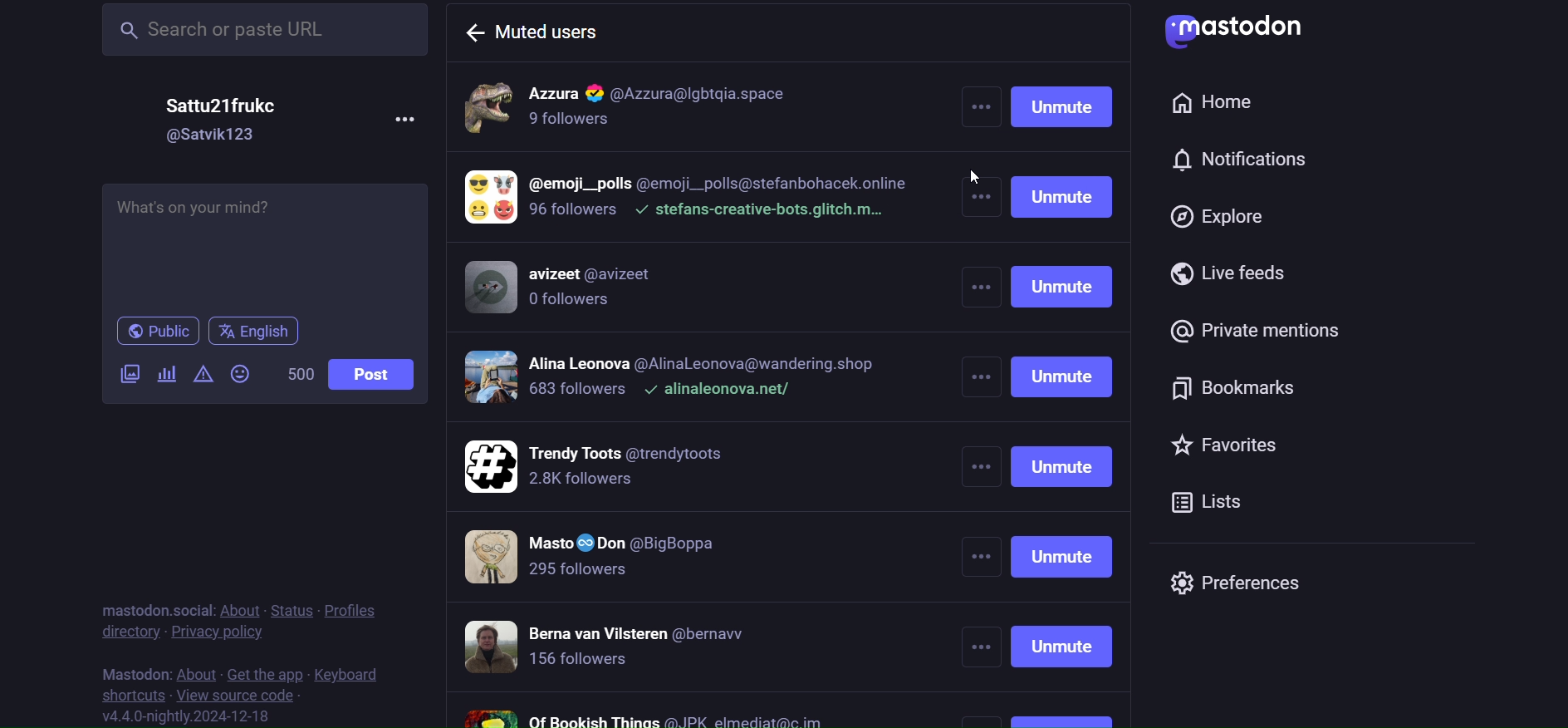  What do you see at coordinates (164, 372) in the screenshot?
I see `poll` at bounding box center [164, 372].